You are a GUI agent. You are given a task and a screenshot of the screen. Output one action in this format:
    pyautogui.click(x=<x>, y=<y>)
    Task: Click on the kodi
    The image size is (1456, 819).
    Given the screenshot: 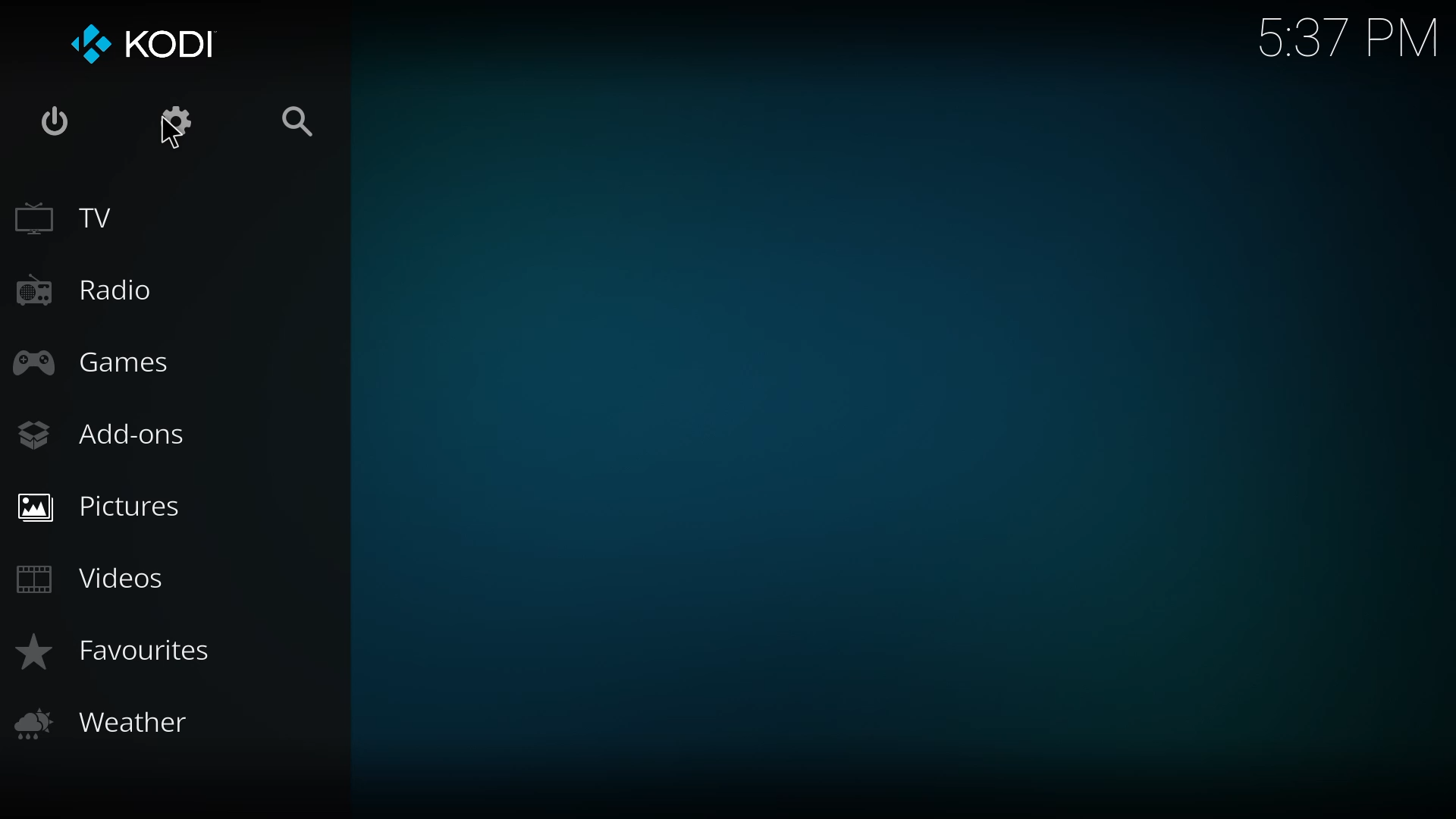 What is the action you would take?
    pyautogui.click(x=174, y=43)
    